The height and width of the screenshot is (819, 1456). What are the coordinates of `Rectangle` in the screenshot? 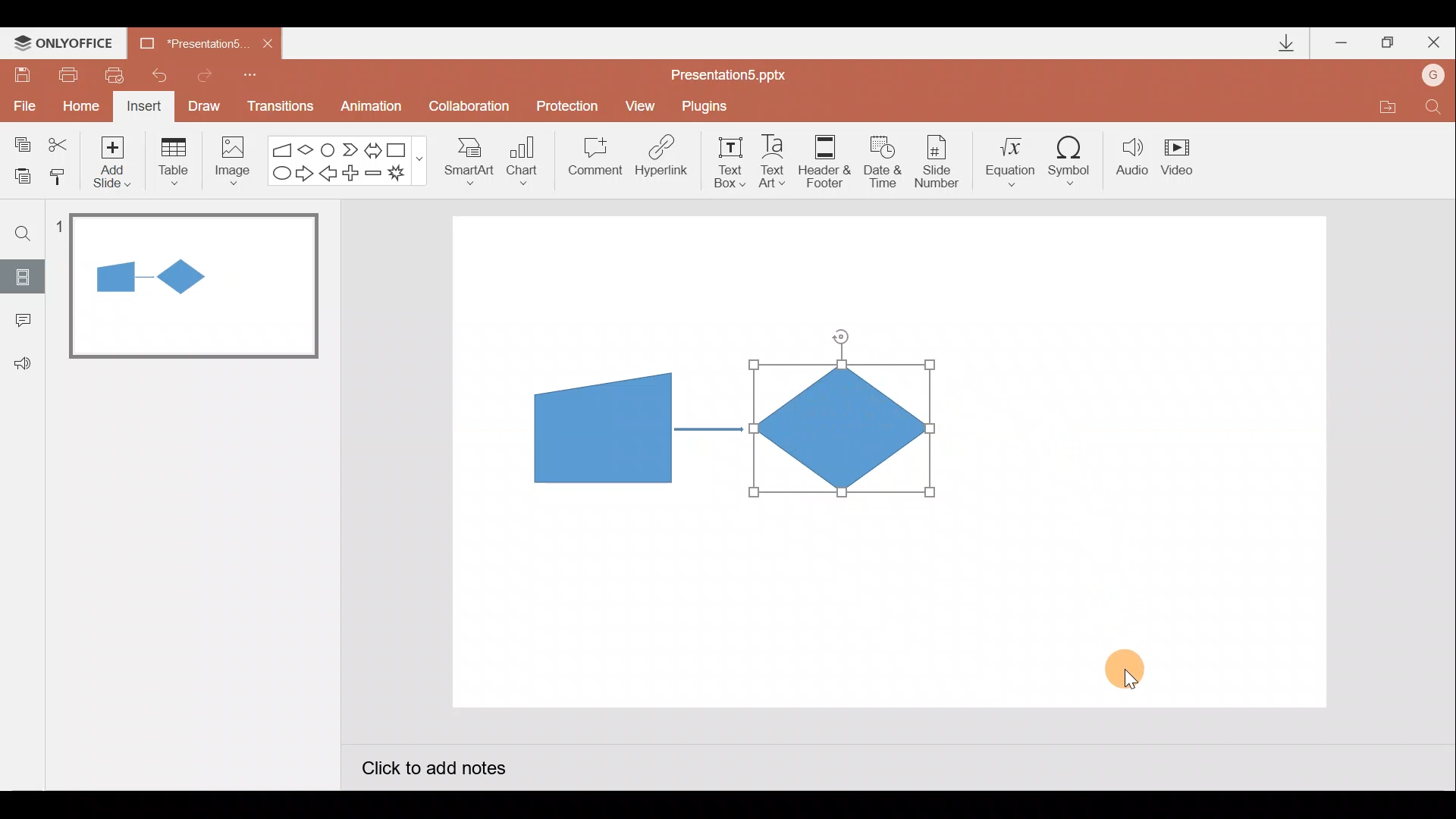 It's located at (400, 149).